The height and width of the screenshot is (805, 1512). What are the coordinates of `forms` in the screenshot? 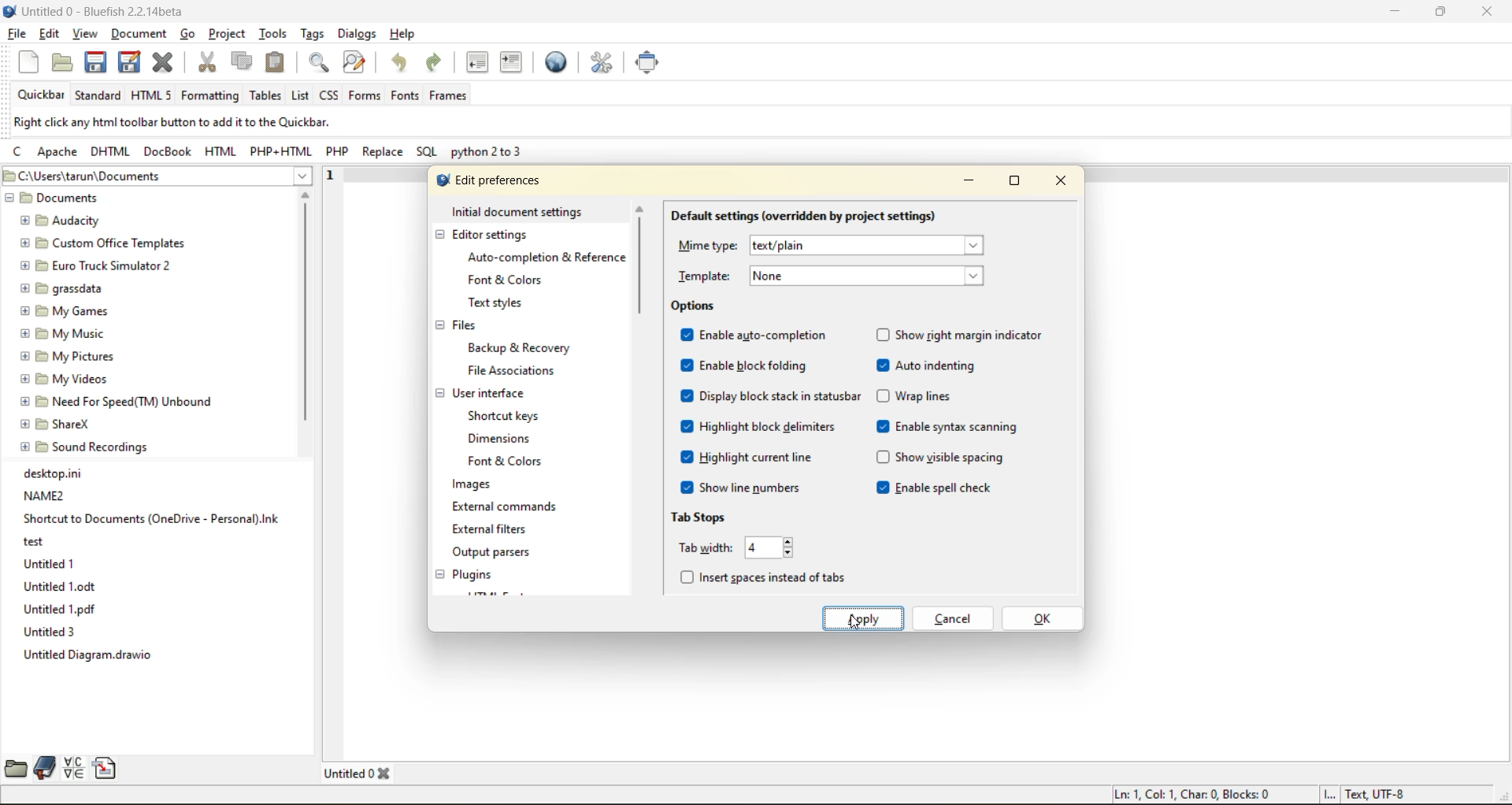 It's located at (363, 95).